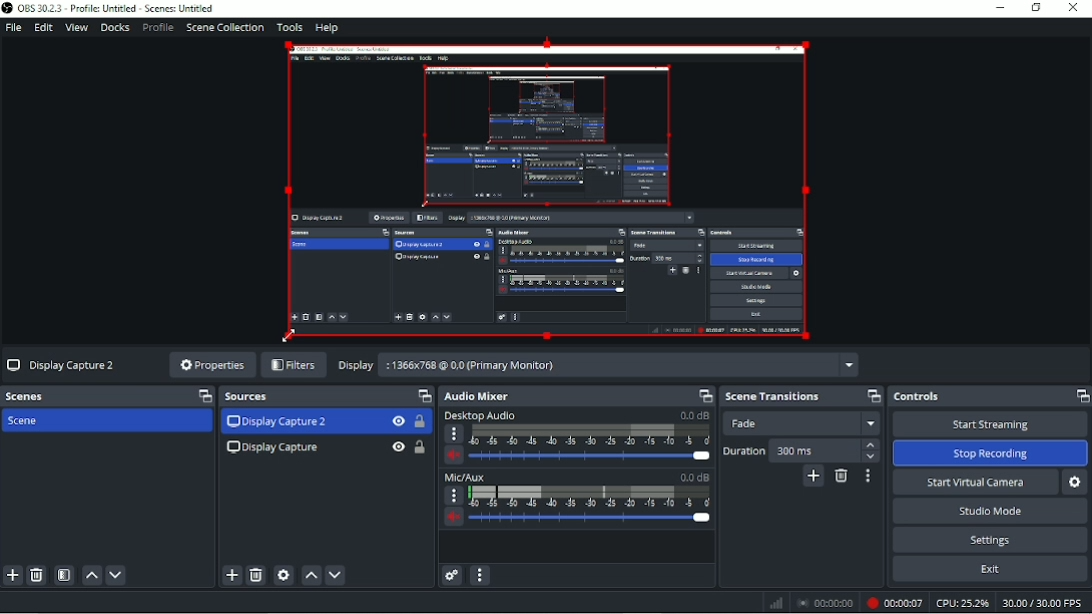 This screenshot has width=1092, height=614. Describe the element at coordinates (703, 396) in the screenshot. I see `maximize` at that location.